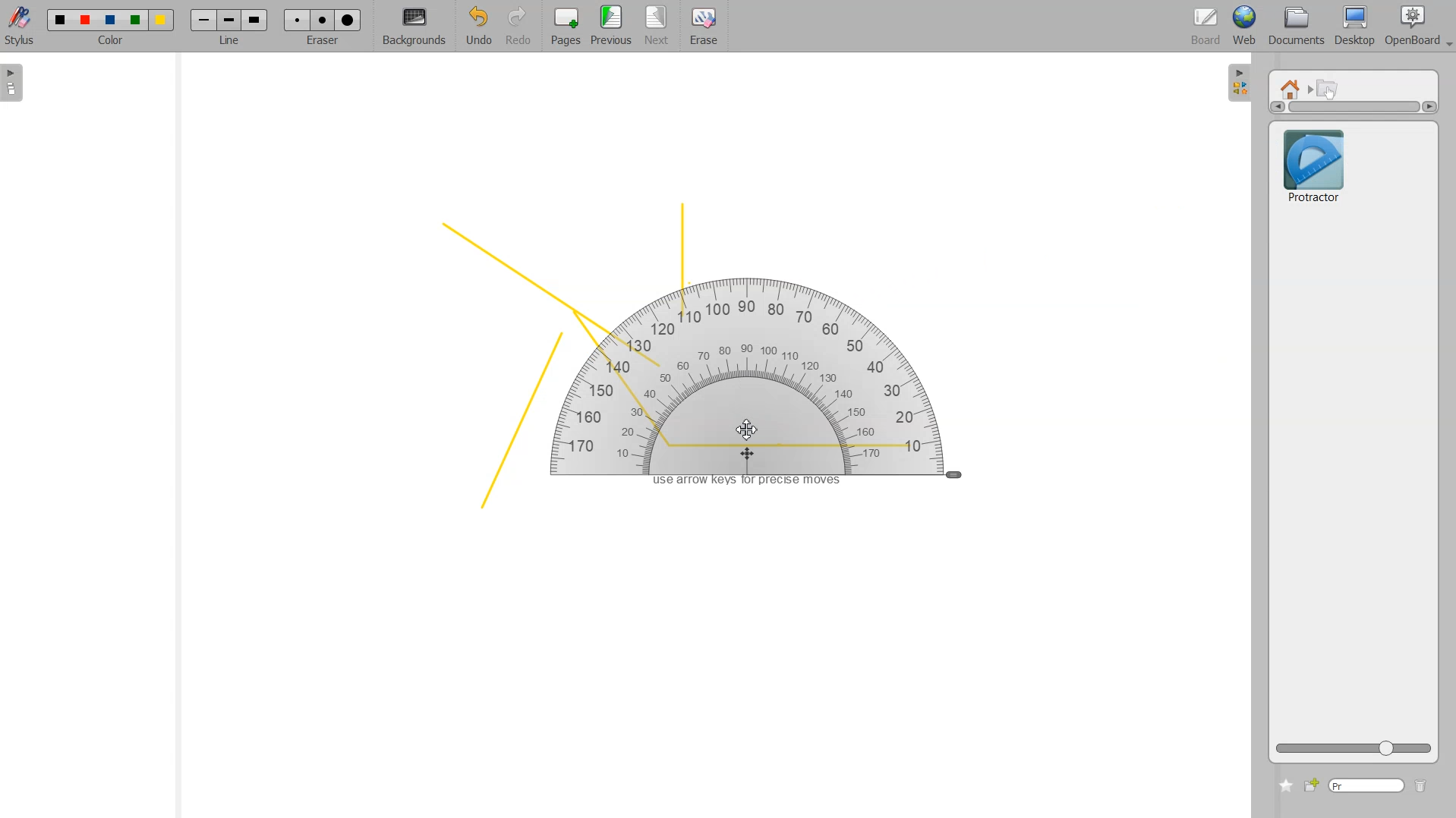  Describe the element at coordinates (229, 20) in the screenshot. I see `Line` at that location.